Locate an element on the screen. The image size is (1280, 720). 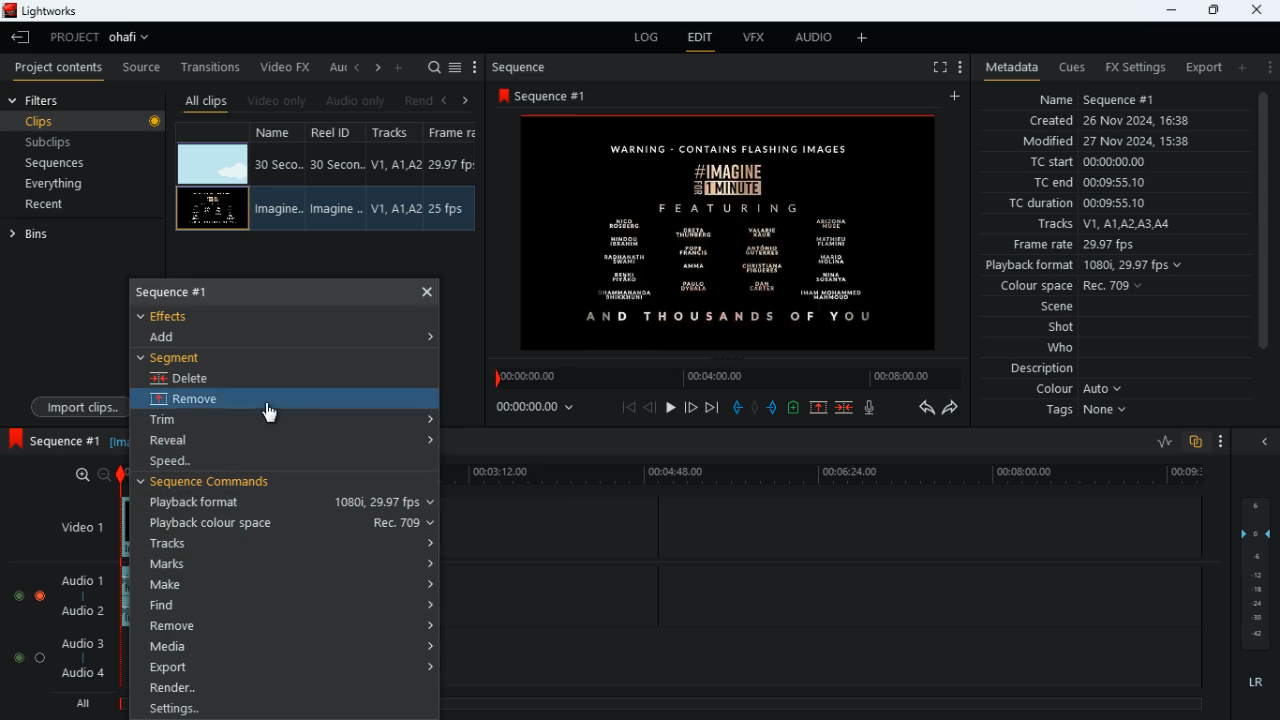
tags is located at coordinates (1078, 414).